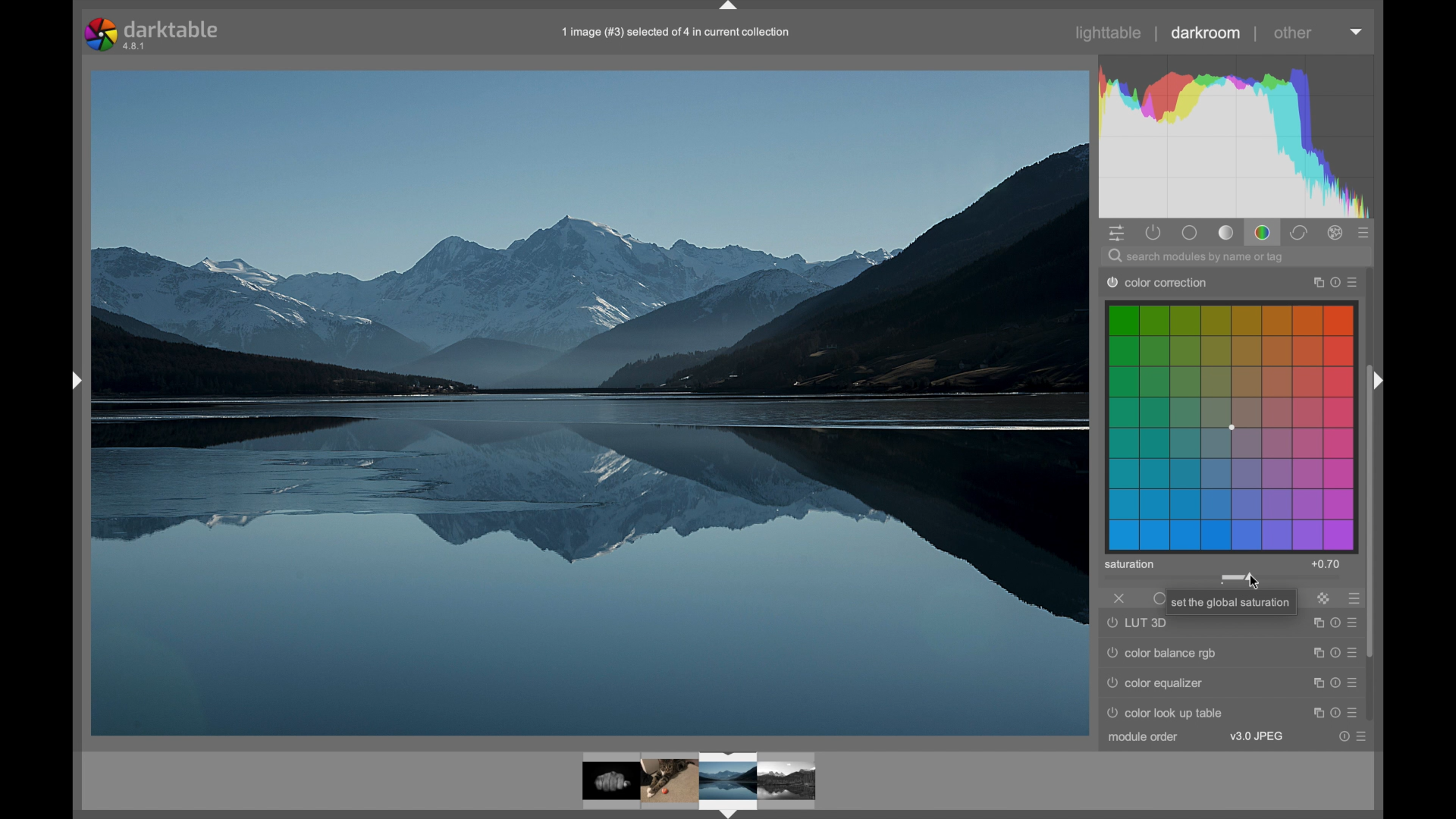  What do you see at coordinates (1140, 623) in the screenshot?
I see `LUT 3D` at bounding box center [1140, 623].